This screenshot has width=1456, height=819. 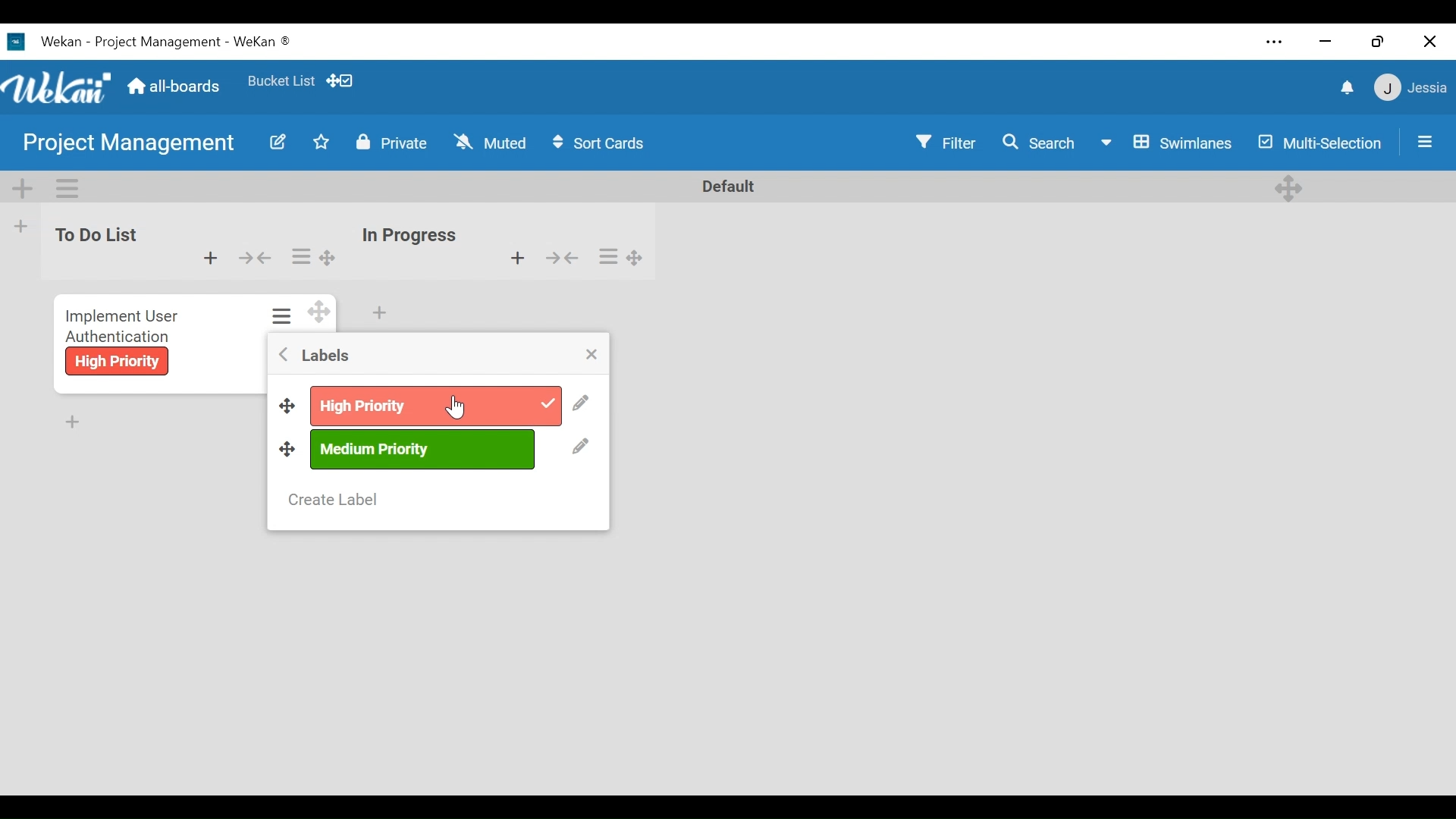 What do you see at coordinates (454, 407) in the screenshot?
I see `cursor` at bounding box center [454, 407].